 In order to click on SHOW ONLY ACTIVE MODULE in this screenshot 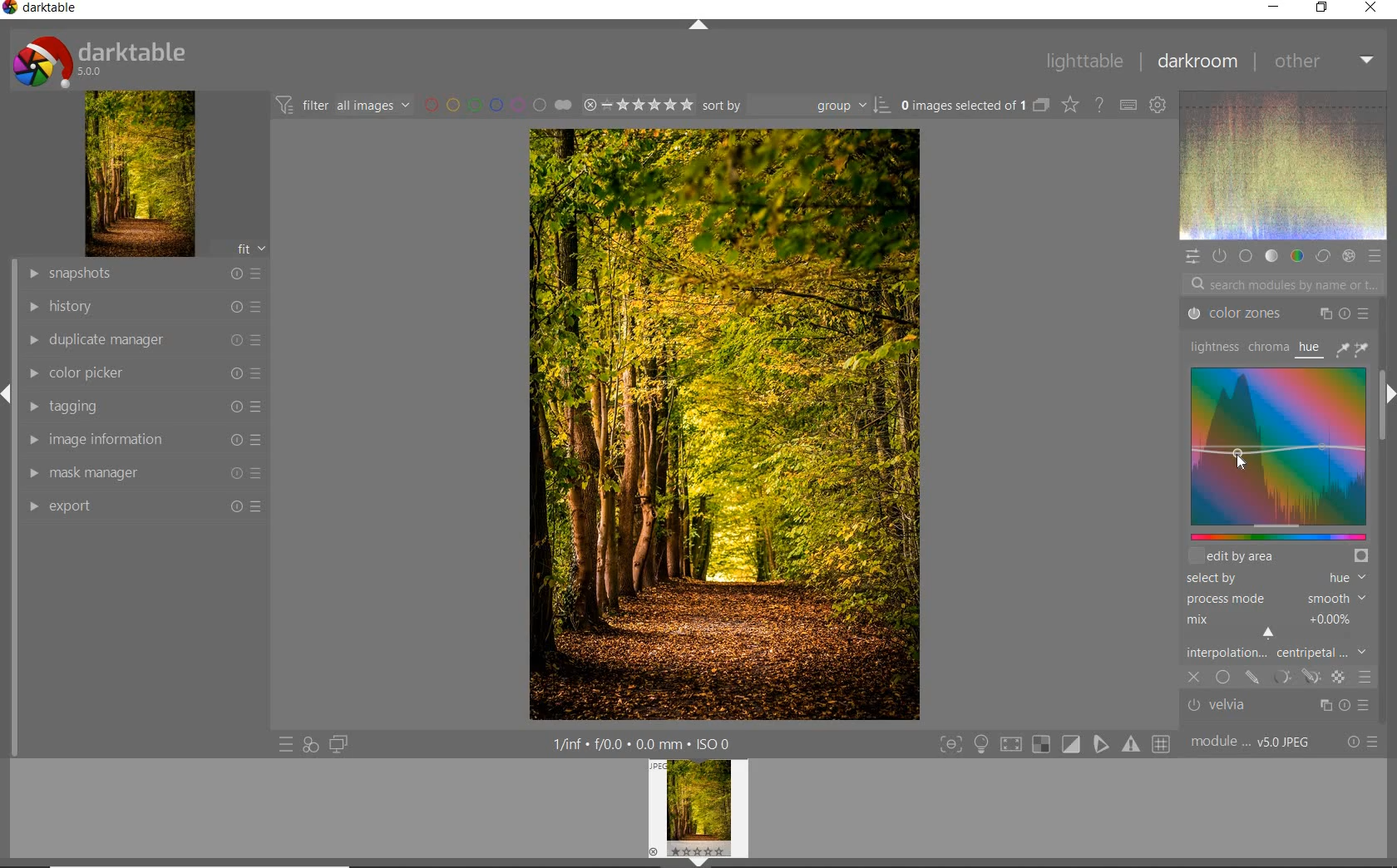, I will do `click(1220, 255)`.